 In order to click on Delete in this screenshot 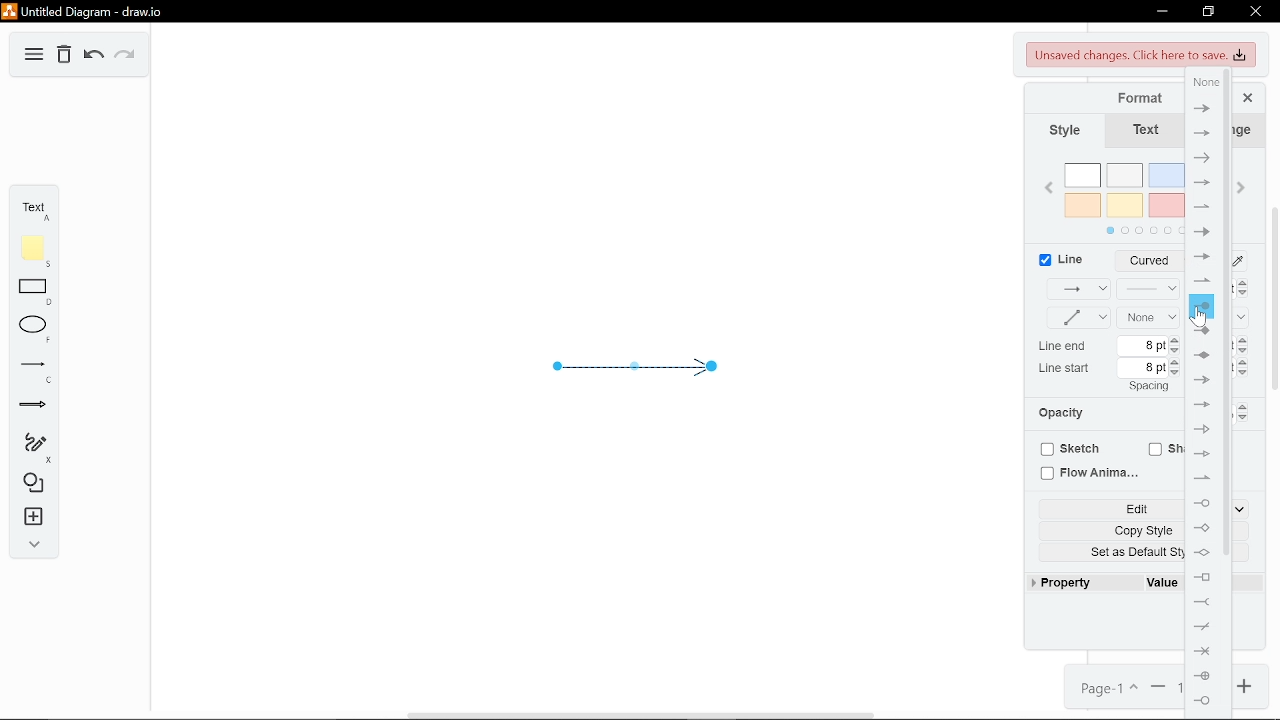, I will do `click(63, 56)`.